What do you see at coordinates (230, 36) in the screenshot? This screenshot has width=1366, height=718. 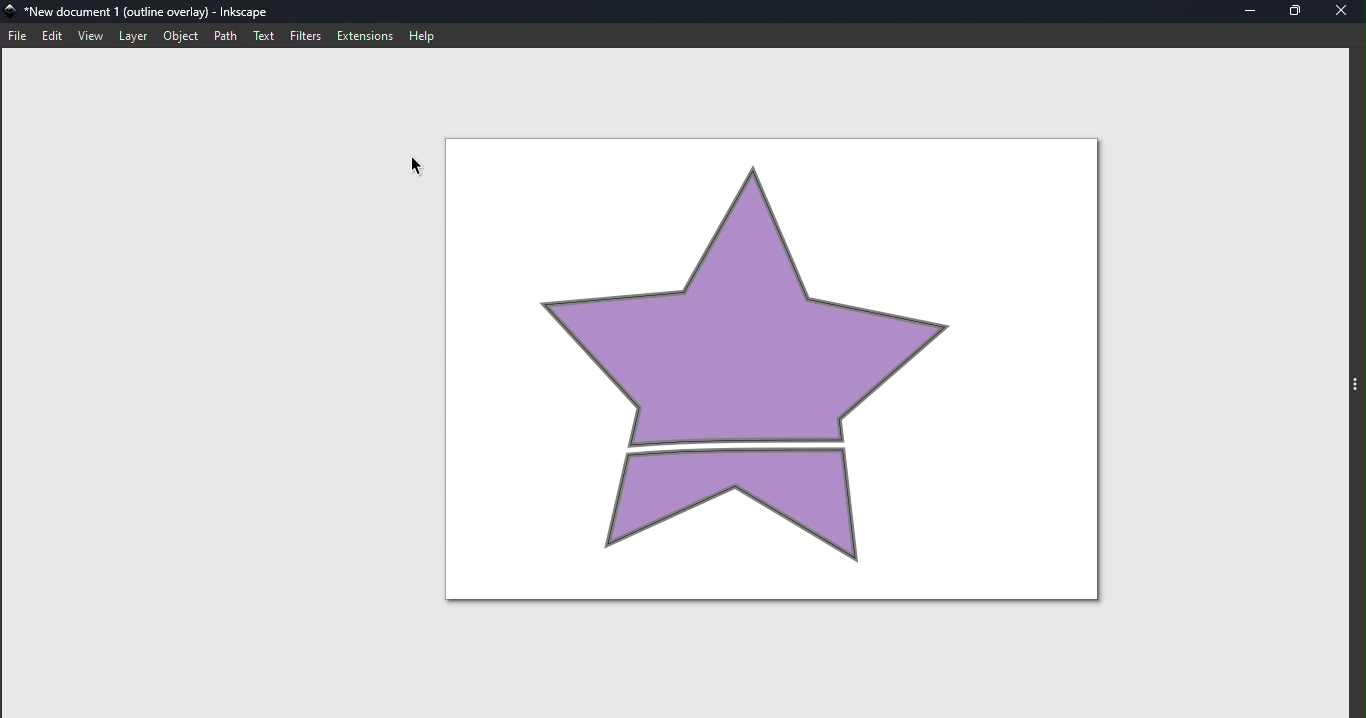 I see `Path` at bounding box center [230, 36].